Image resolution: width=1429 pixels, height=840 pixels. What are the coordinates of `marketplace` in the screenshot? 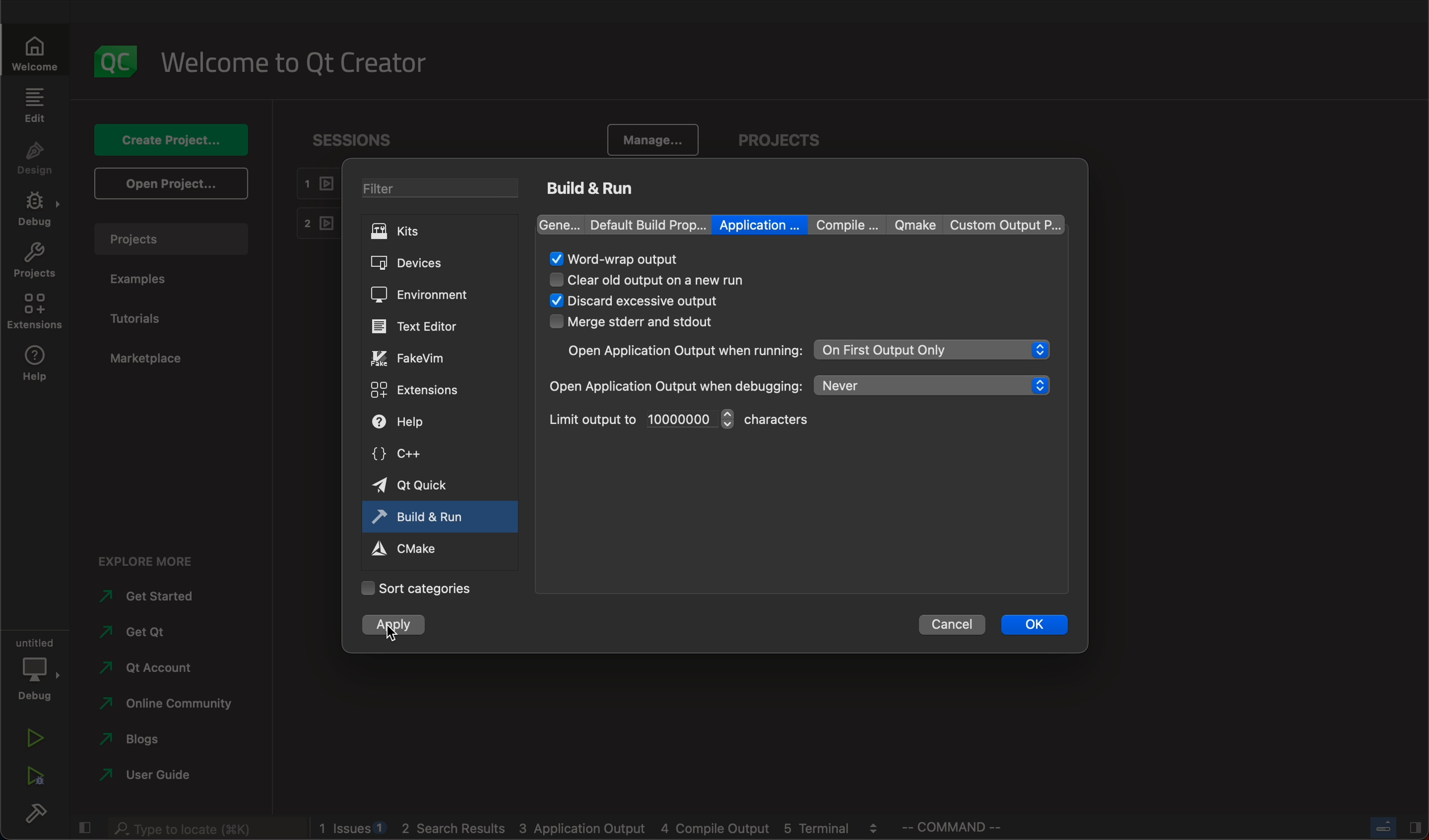 It's located at (150, 359).